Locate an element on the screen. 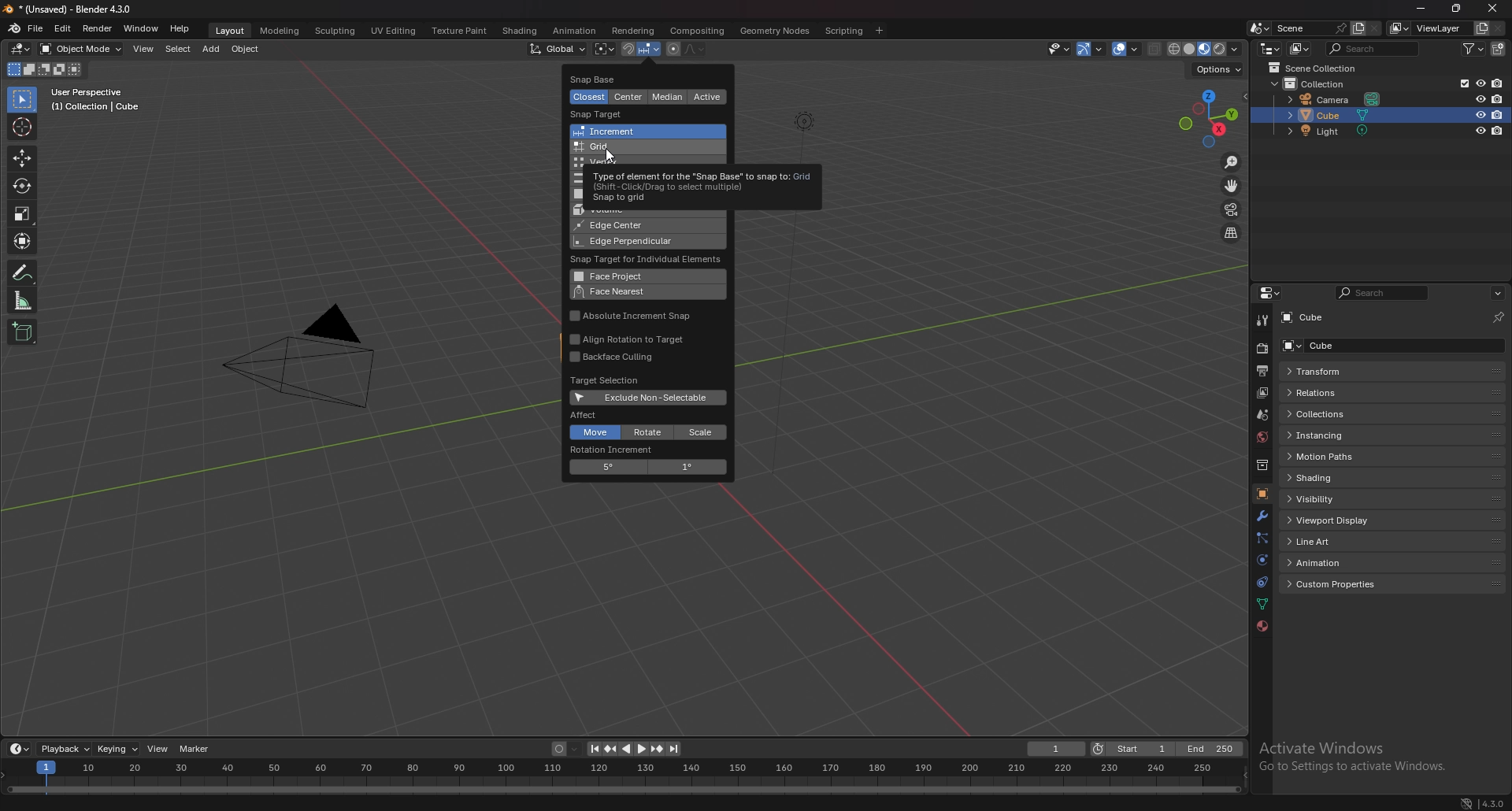  camera view is located at coordinates (1232, 208).